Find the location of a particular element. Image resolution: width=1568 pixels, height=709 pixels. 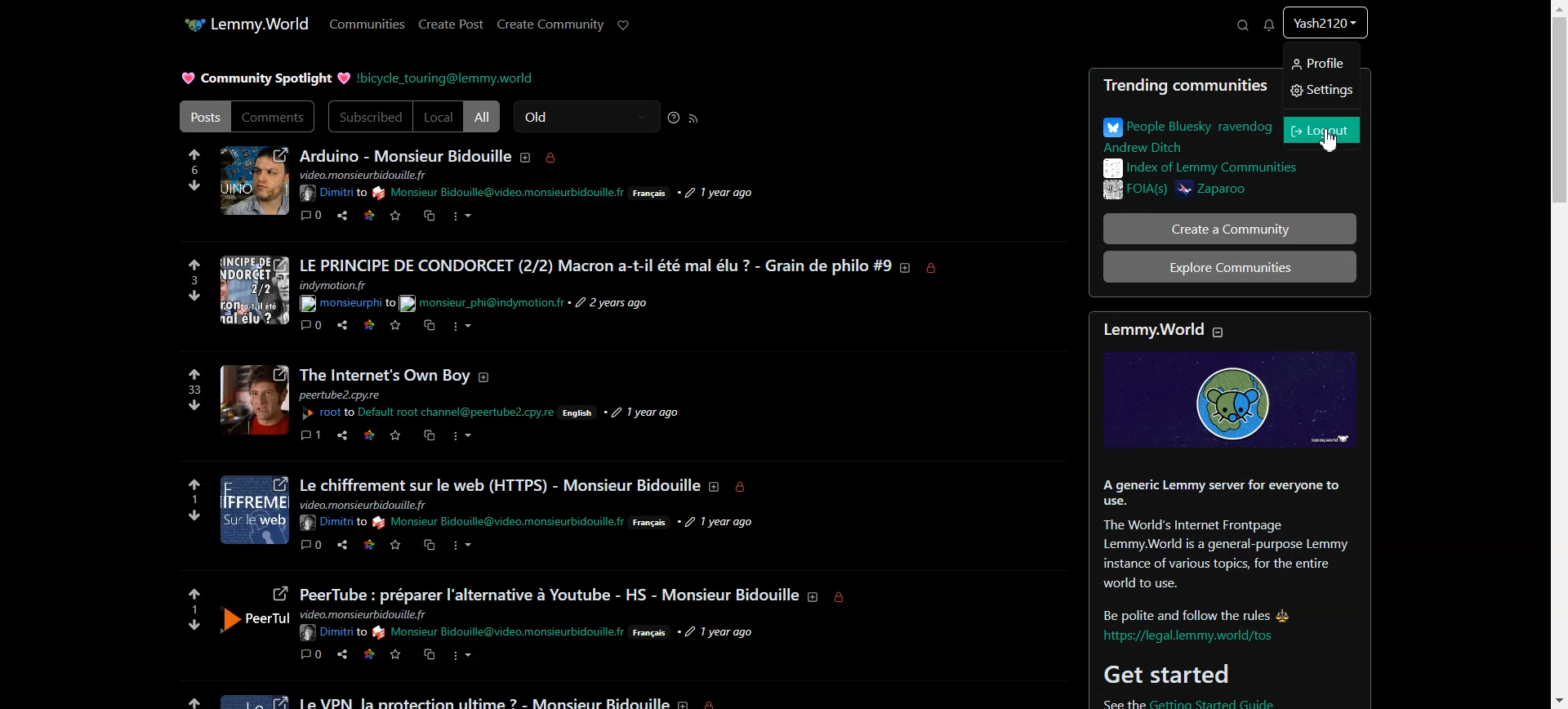

copy is located at coordinates (429, 438).